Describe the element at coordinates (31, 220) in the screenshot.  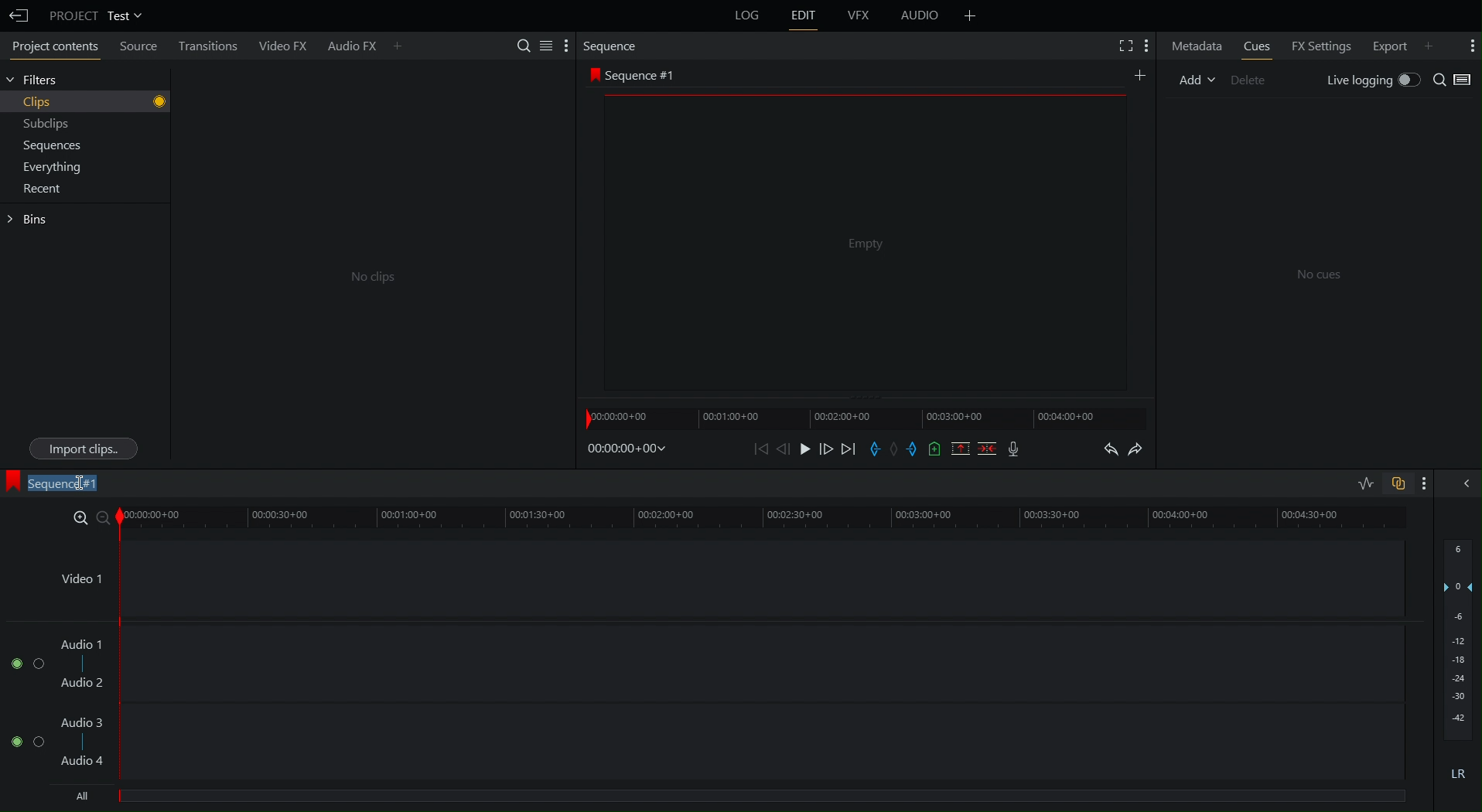
I see `Gins` at that location.